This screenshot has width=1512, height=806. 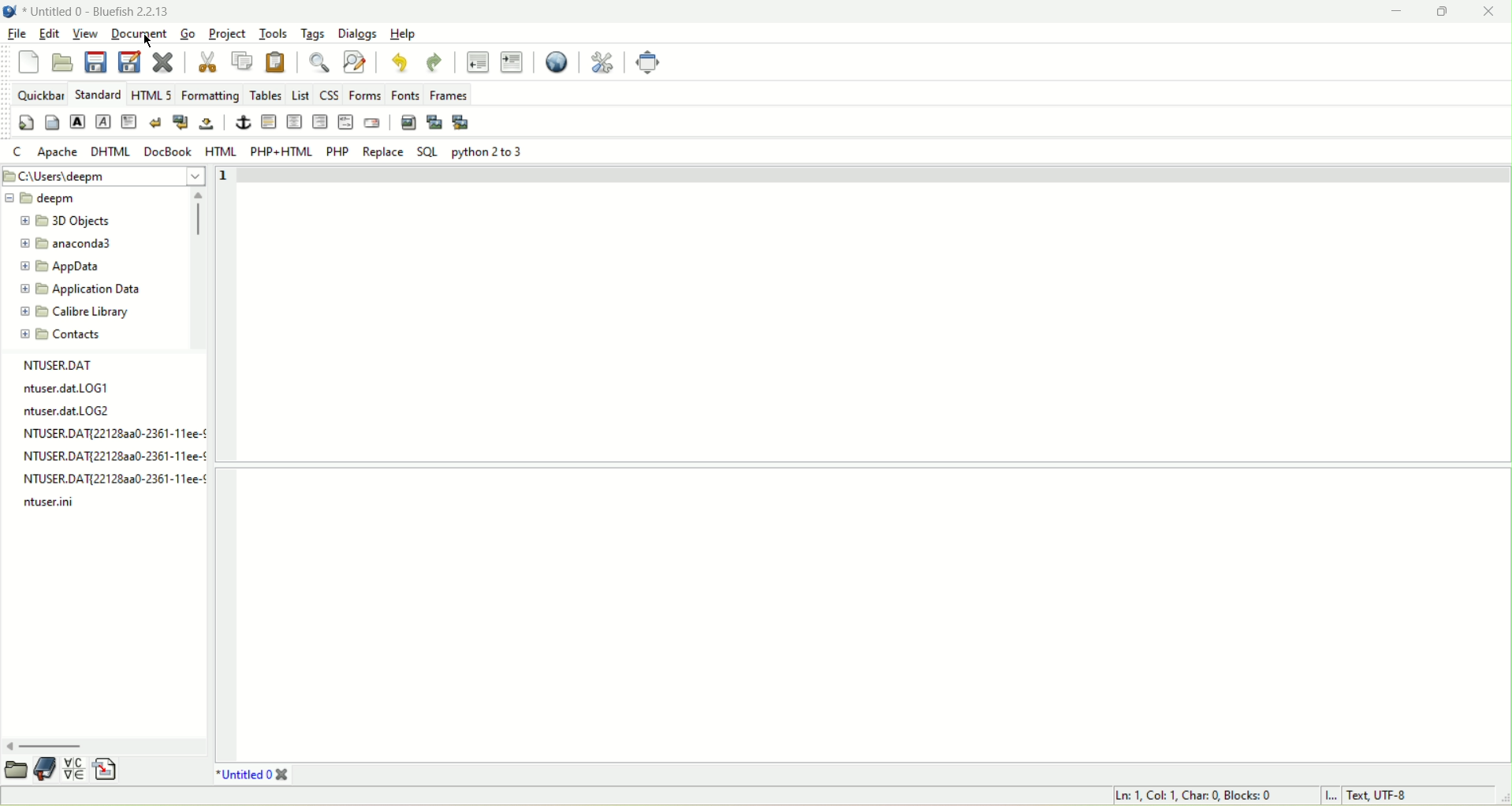 What do you see at coordinates (110, 431) in the screenshot?
I see `NTUSER.DAT{22128a3a0-2361-11ee-!` at bounding box center [110, 431].